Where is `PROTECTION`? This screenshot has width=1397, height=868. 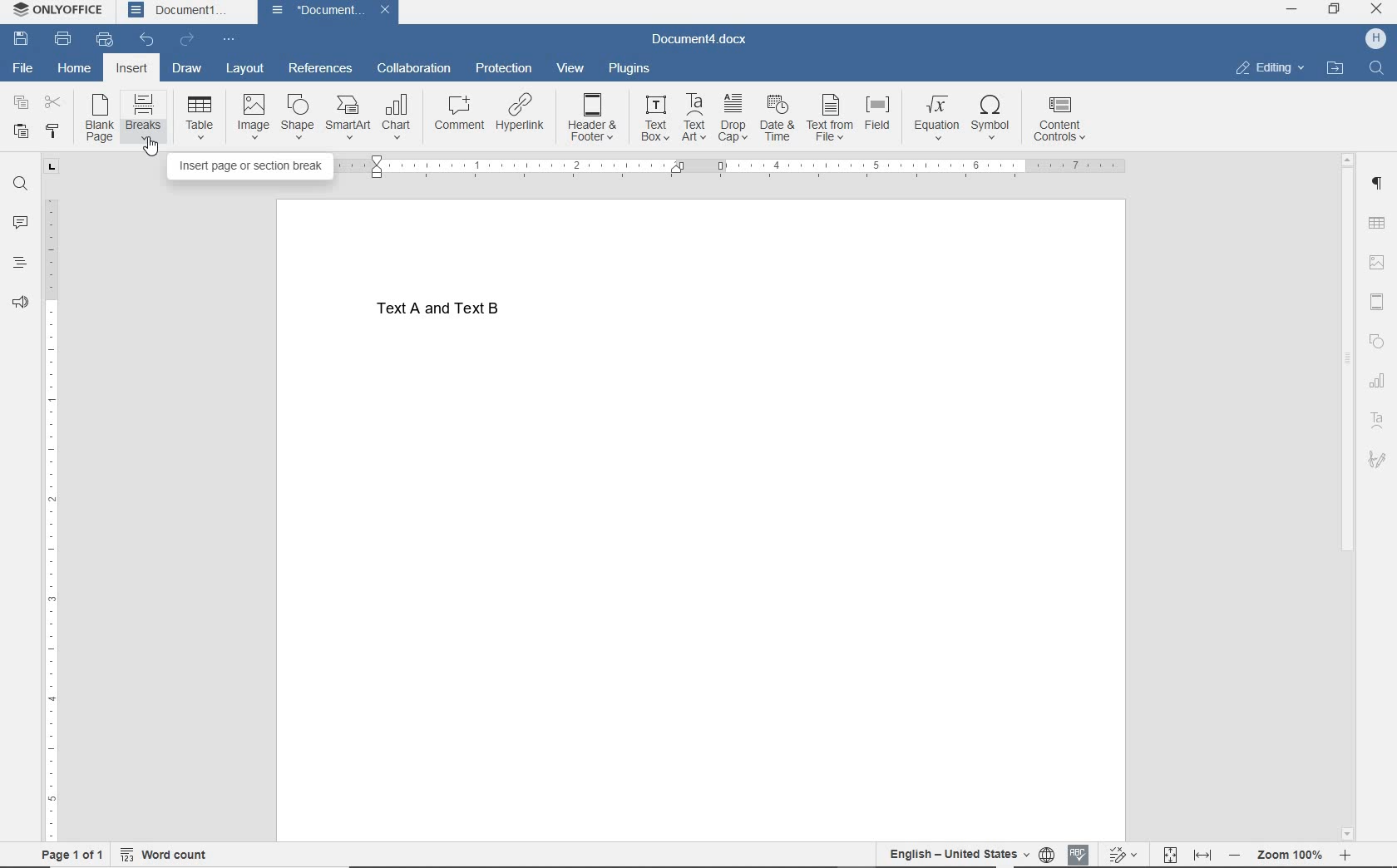 PROTECTION is located at coordinates (503, 68).